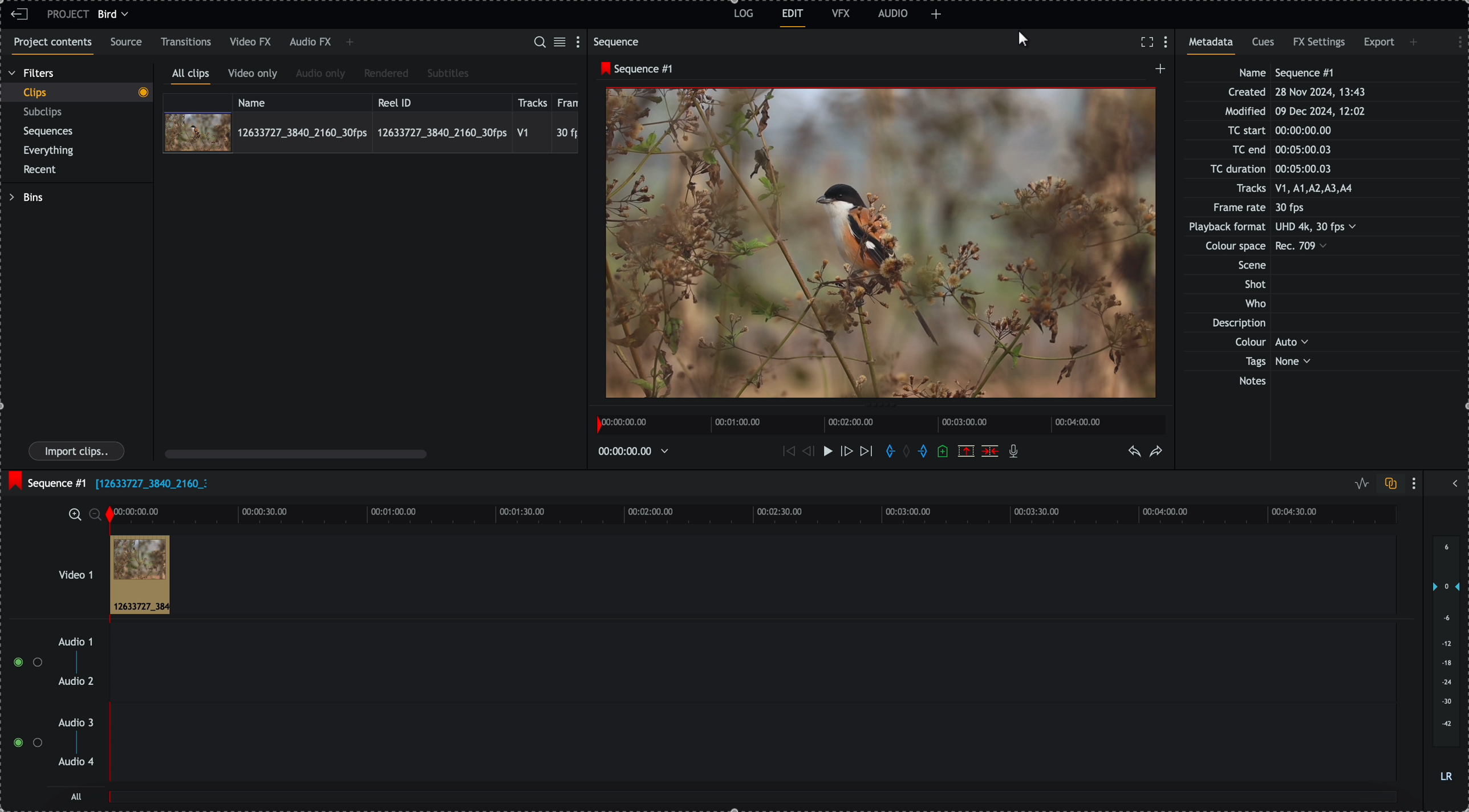 Image resolution: width=1469 pixels, height=812 pixels. I want to click on create a new sequence, so click(1158, 72).